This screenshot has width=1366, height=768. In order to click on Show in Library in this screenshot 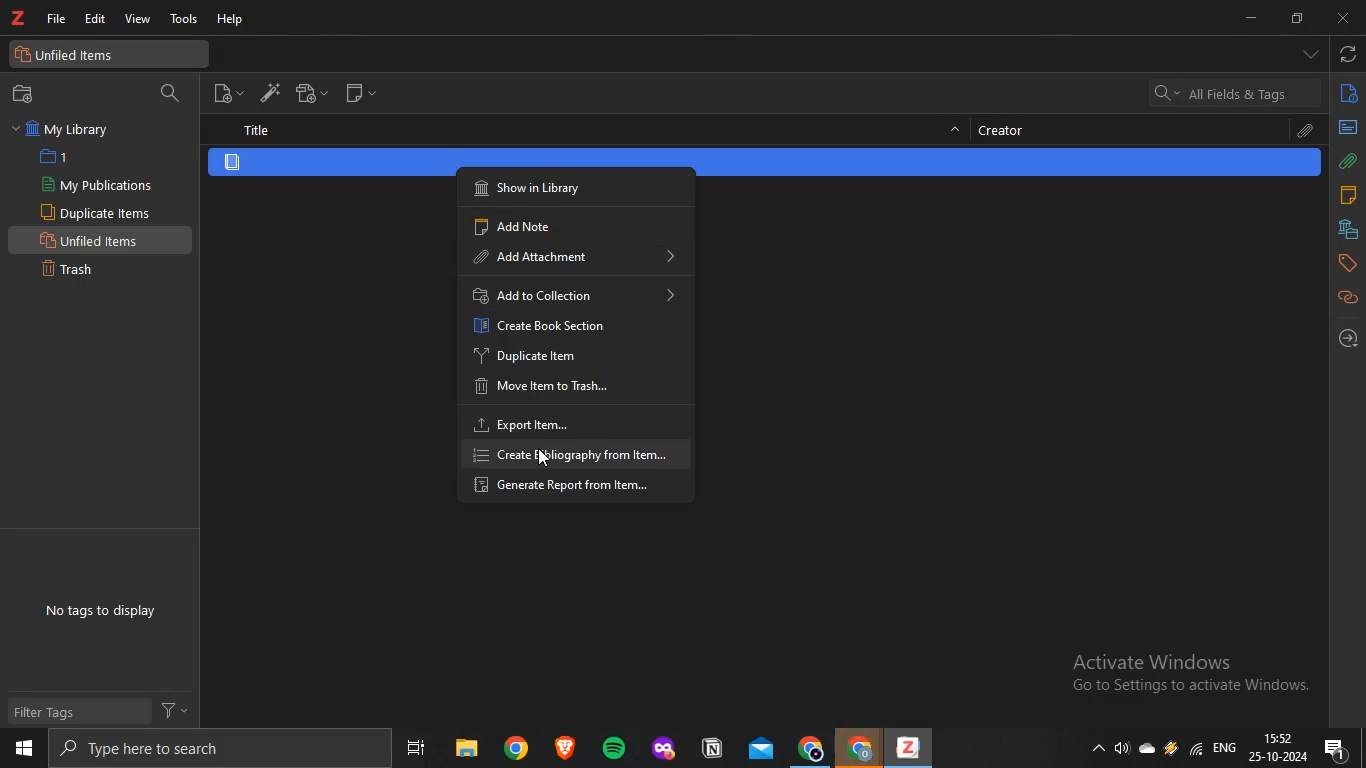, I will do `click(533, 188)`.